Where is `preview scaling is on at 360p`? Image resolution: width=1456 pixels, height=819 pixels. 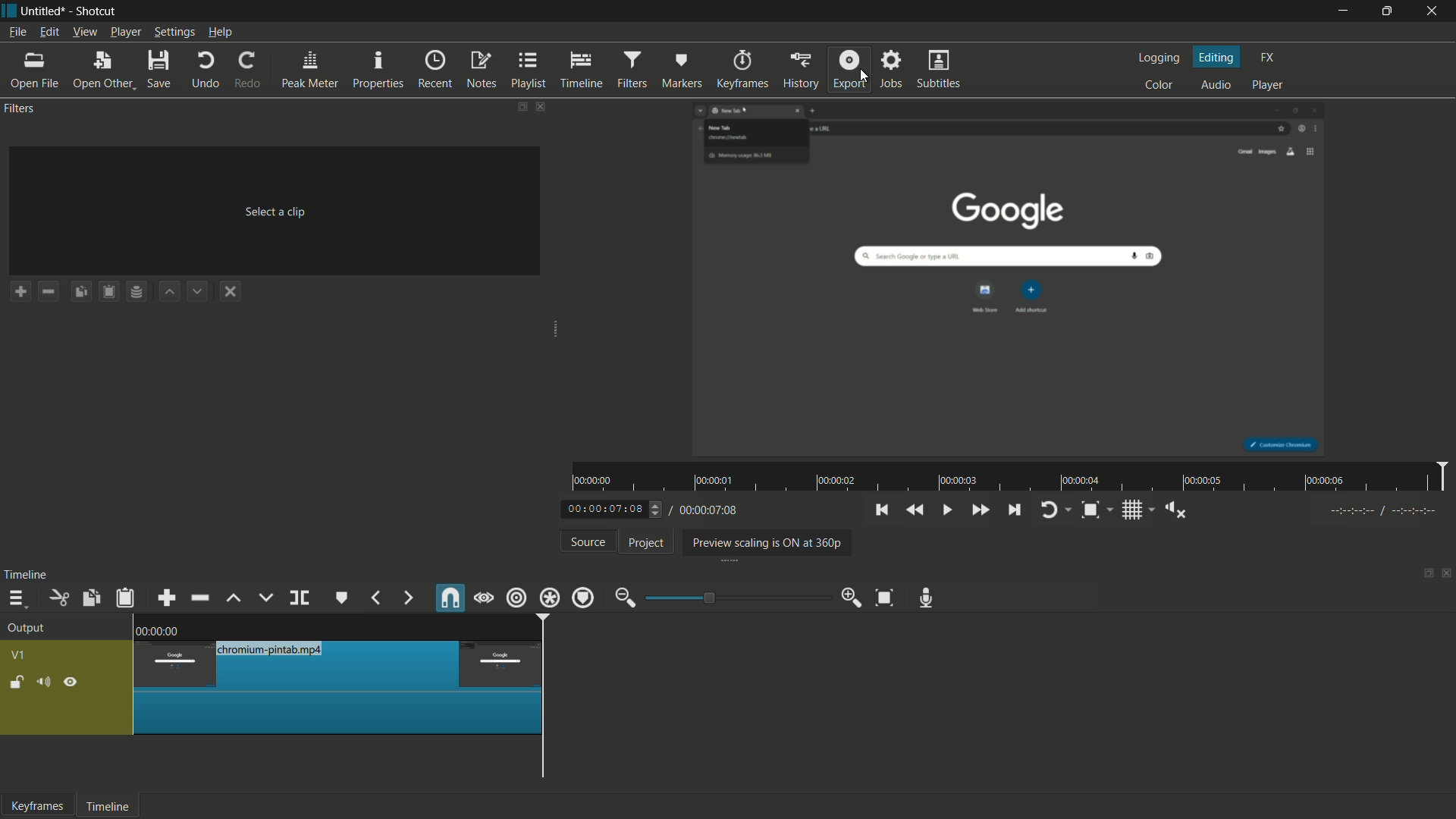 preview scaling is on at 360p is located at coordinates (764, 544).